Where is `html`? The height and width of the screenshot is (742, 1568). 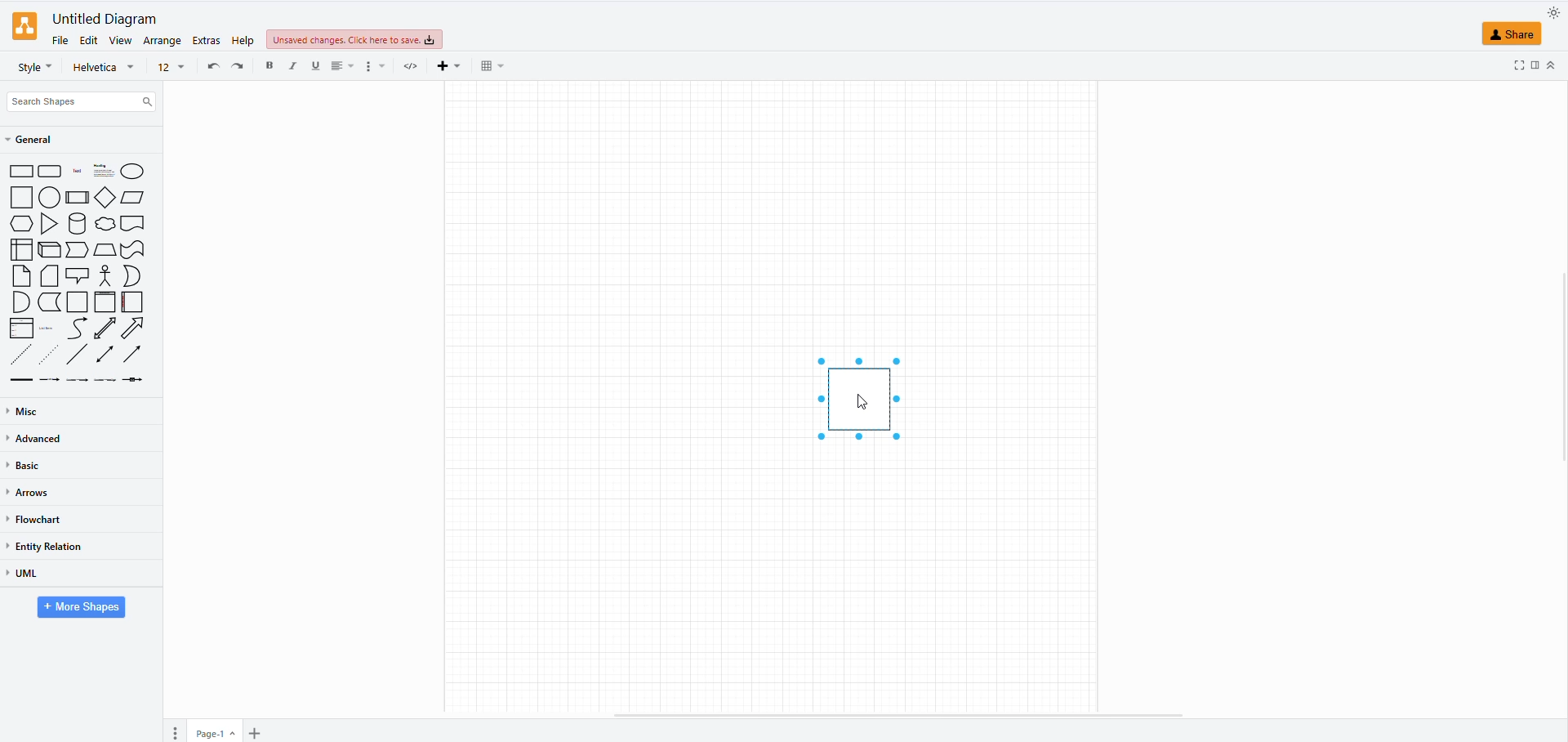 html is located at coordinates (413, 65).